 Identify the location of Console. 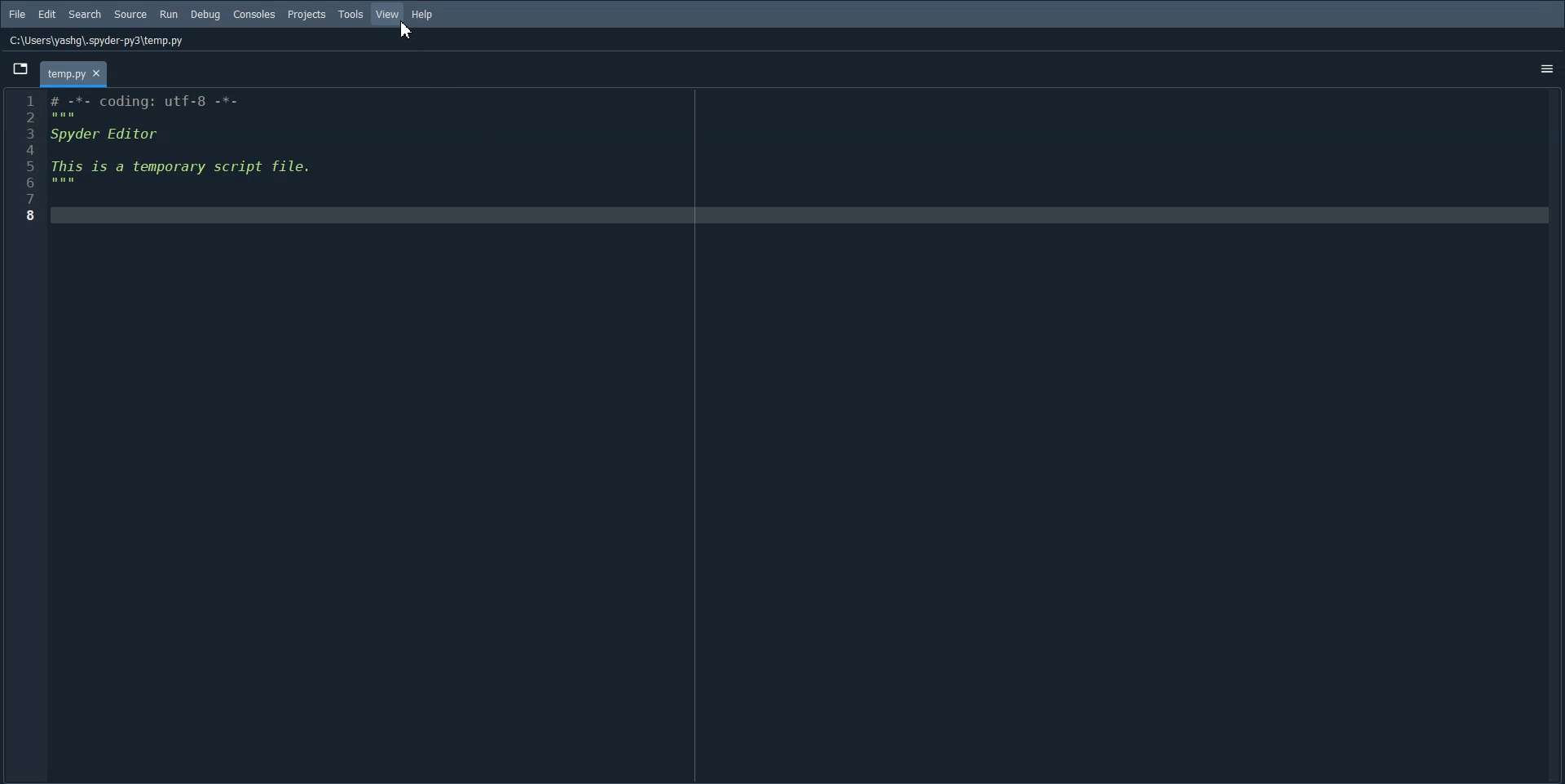
(254, 15).